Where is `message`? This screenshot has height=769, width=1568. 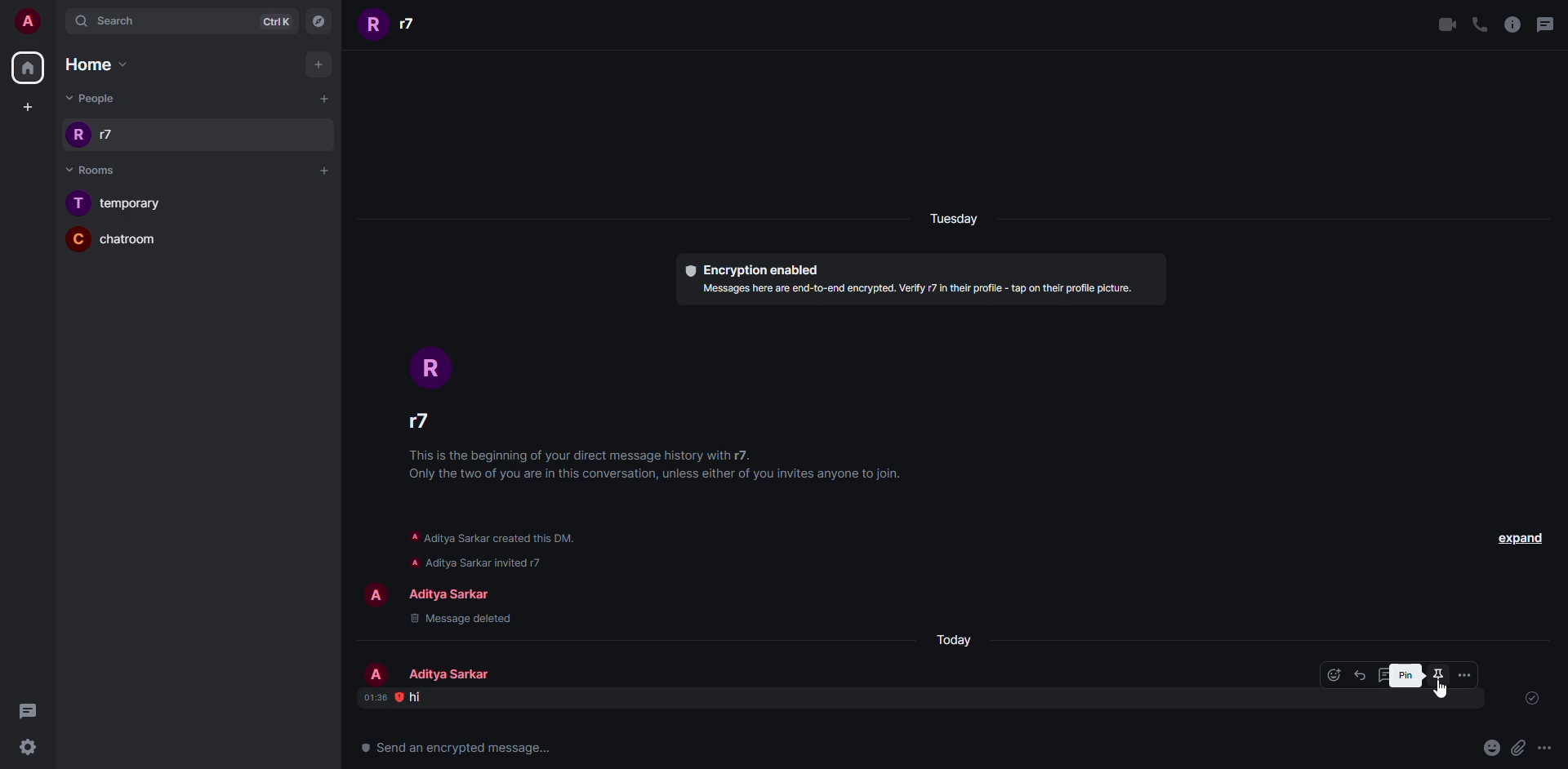
message is located at coordinates (416, 696).